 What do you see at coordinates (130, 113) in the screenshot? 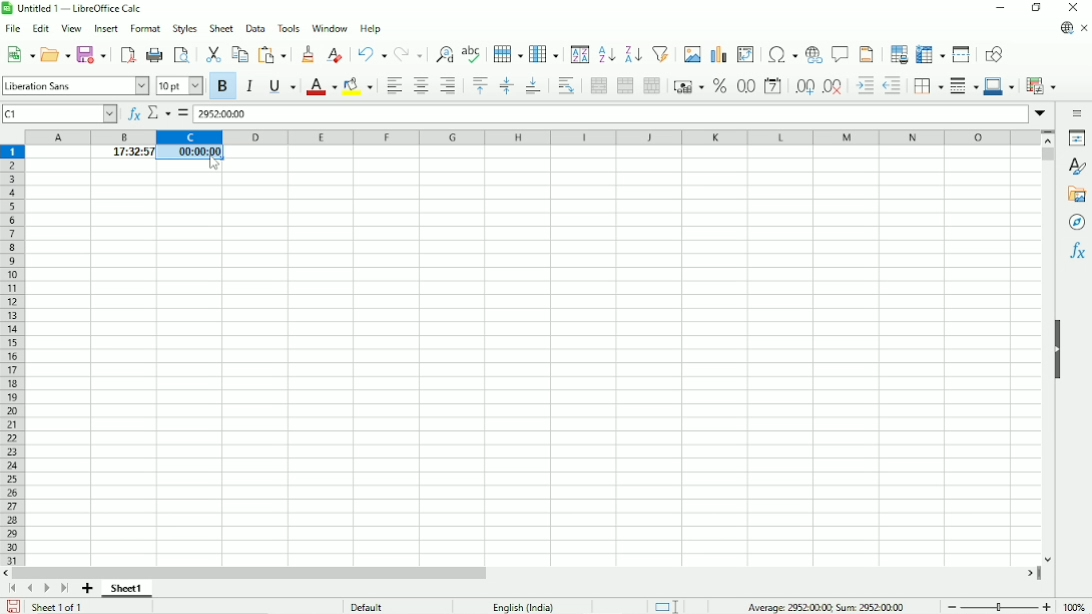
I see `Function wizard` at bounding box center [130, 113].